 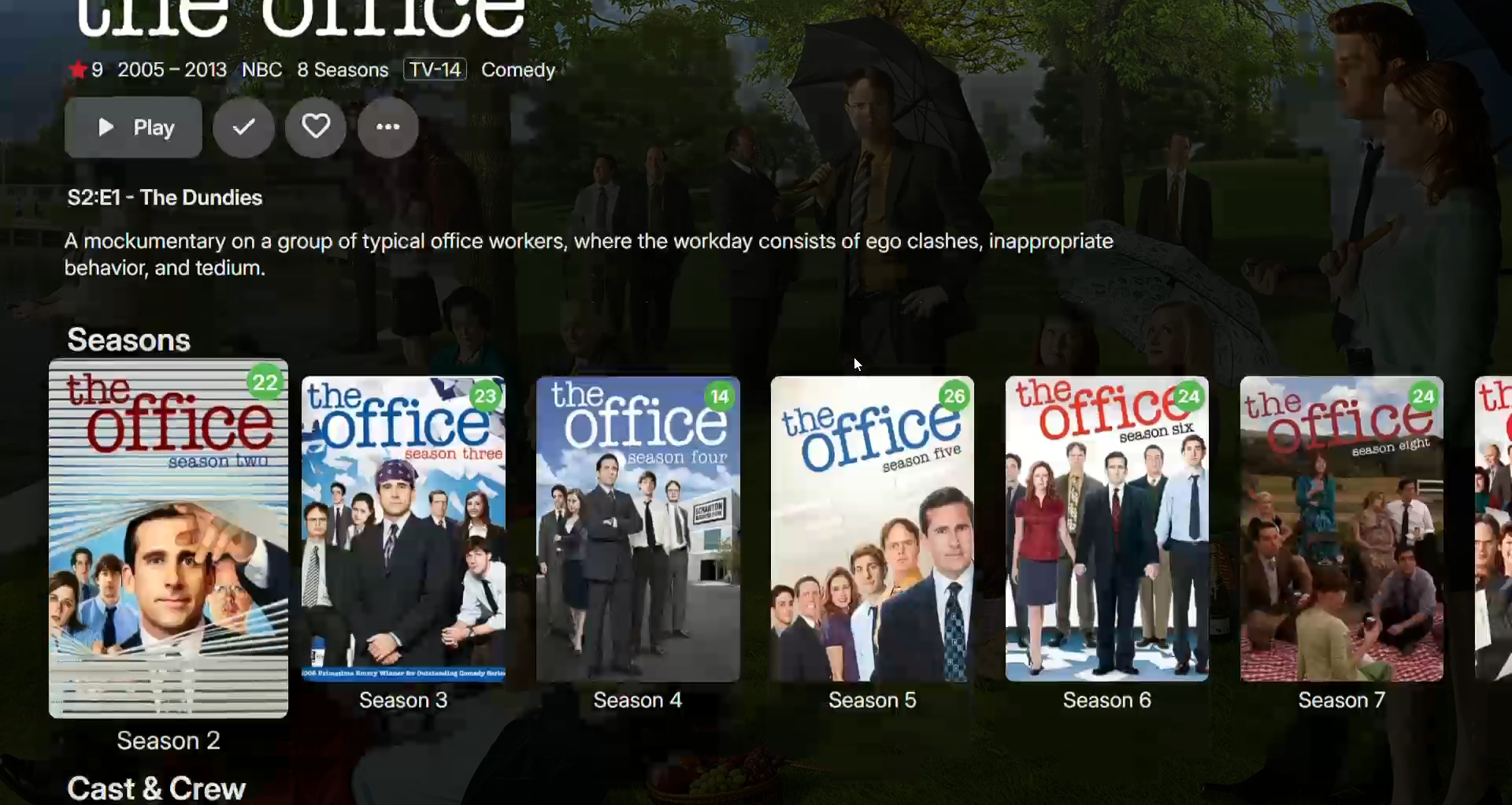 I want to click on Season 8, so click(x=1492, y=527).